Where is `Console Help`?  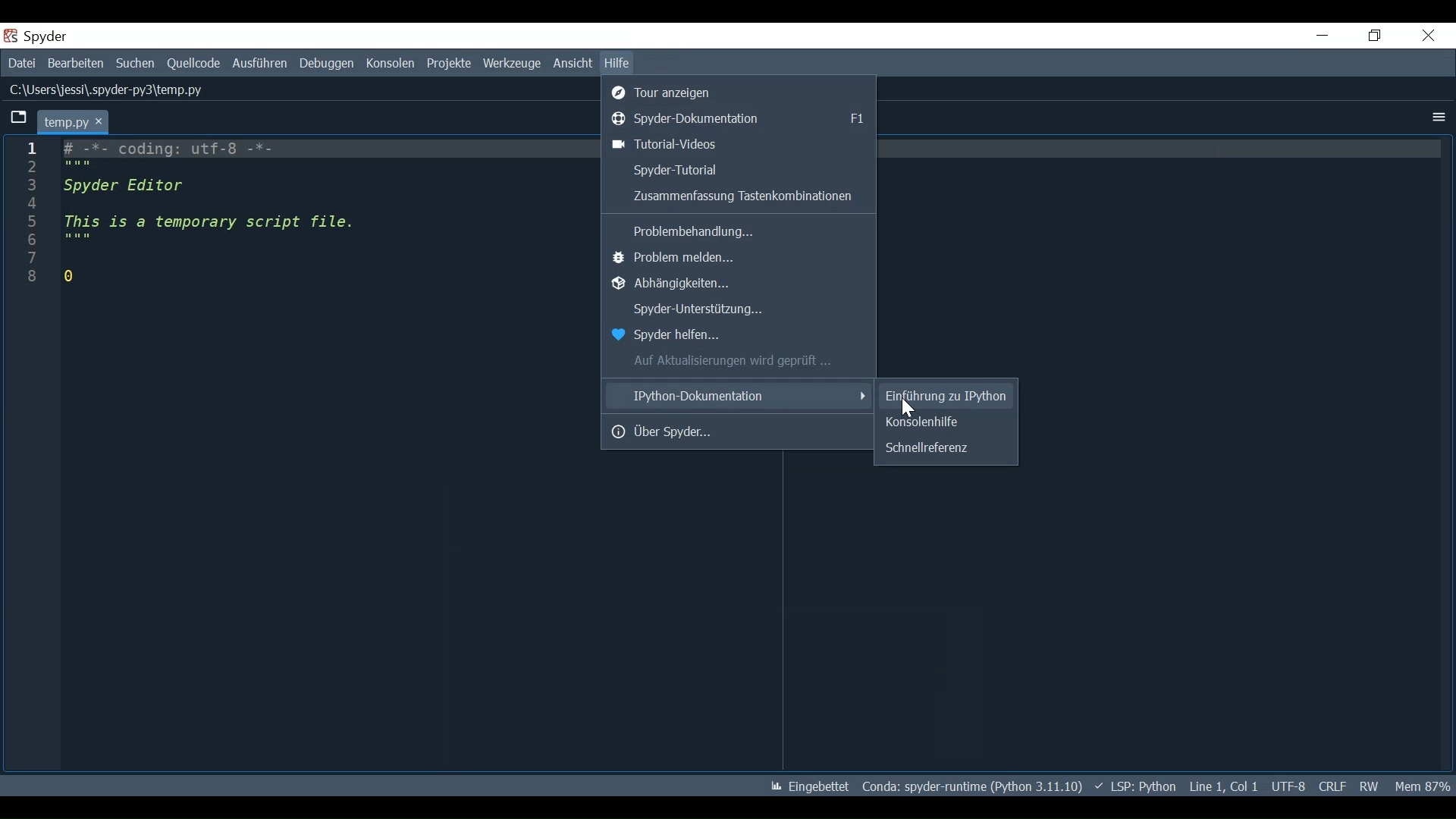 Console Help is located at coordinates (945, 422).